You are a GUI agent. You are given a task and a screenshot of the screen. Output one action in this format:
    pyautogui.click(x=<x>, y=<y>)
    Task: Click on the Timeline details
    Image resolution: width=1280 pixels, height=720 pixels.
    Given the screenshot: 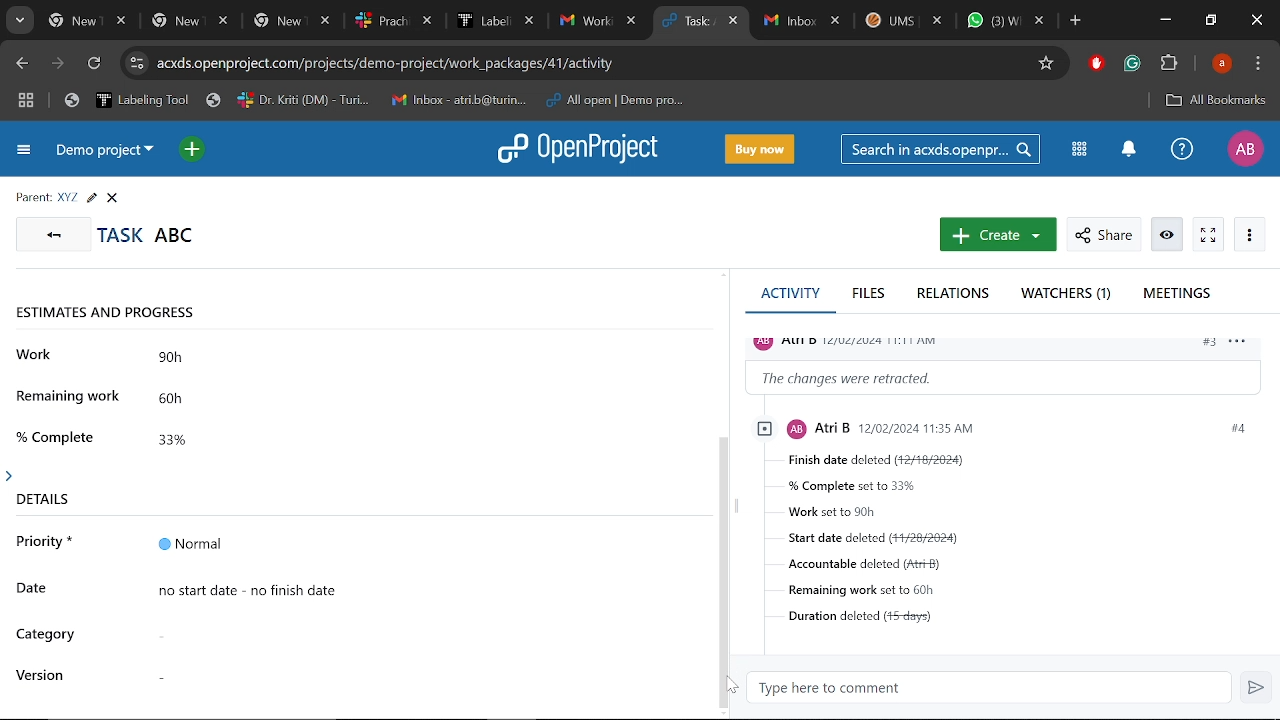 What is the action you would take?
    pyautogui.click(x=423, y=589)
    